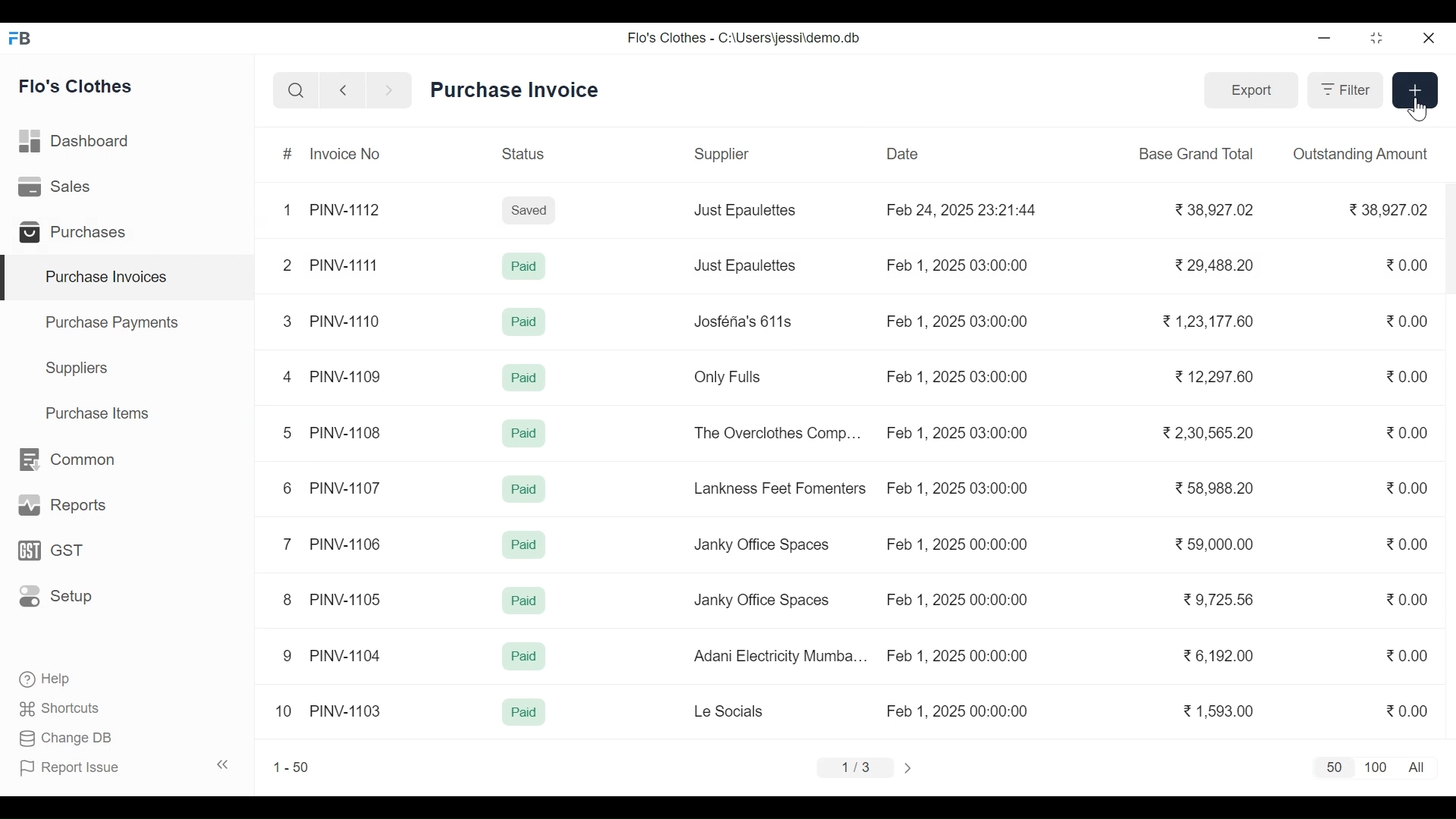 The image size is (1456, 819). Describe the element at coordinates (959, 267) in the screenshot. I see `Feb 1, 2025 03:00:00` at that location.